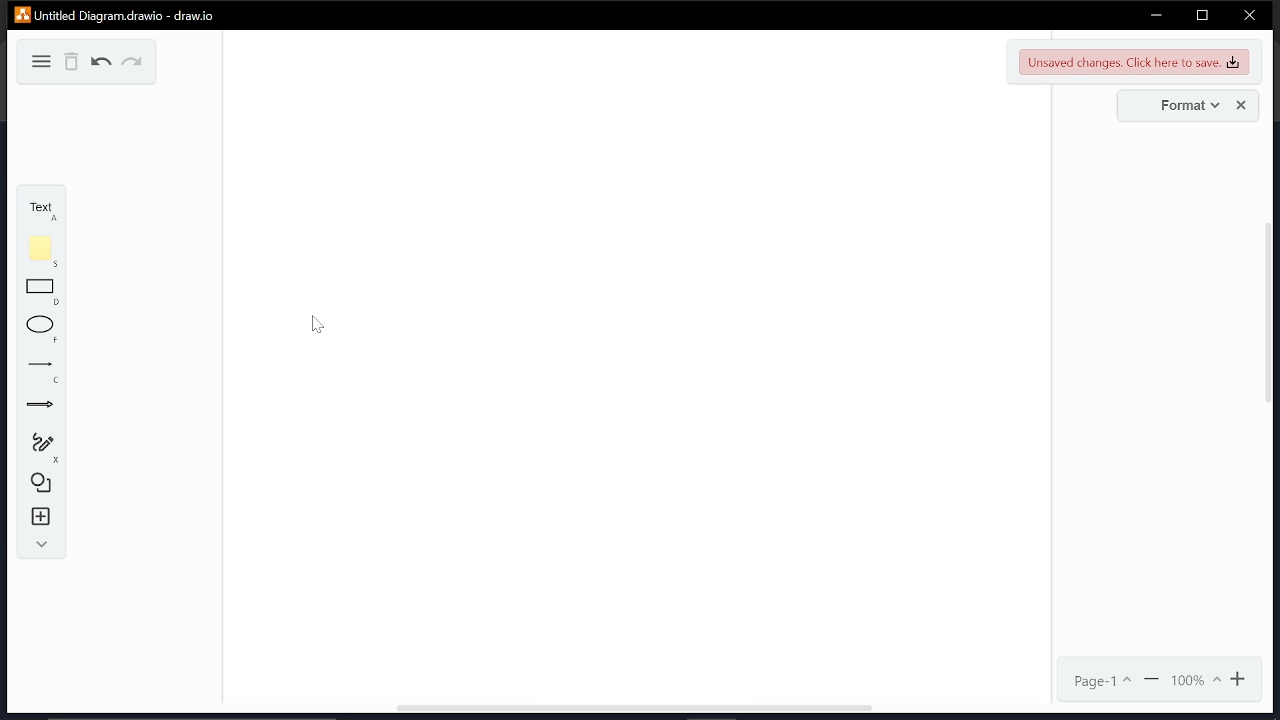 The height and width of the screenshot is (720, 1280). I want to click on collapse, so click(39, 545).